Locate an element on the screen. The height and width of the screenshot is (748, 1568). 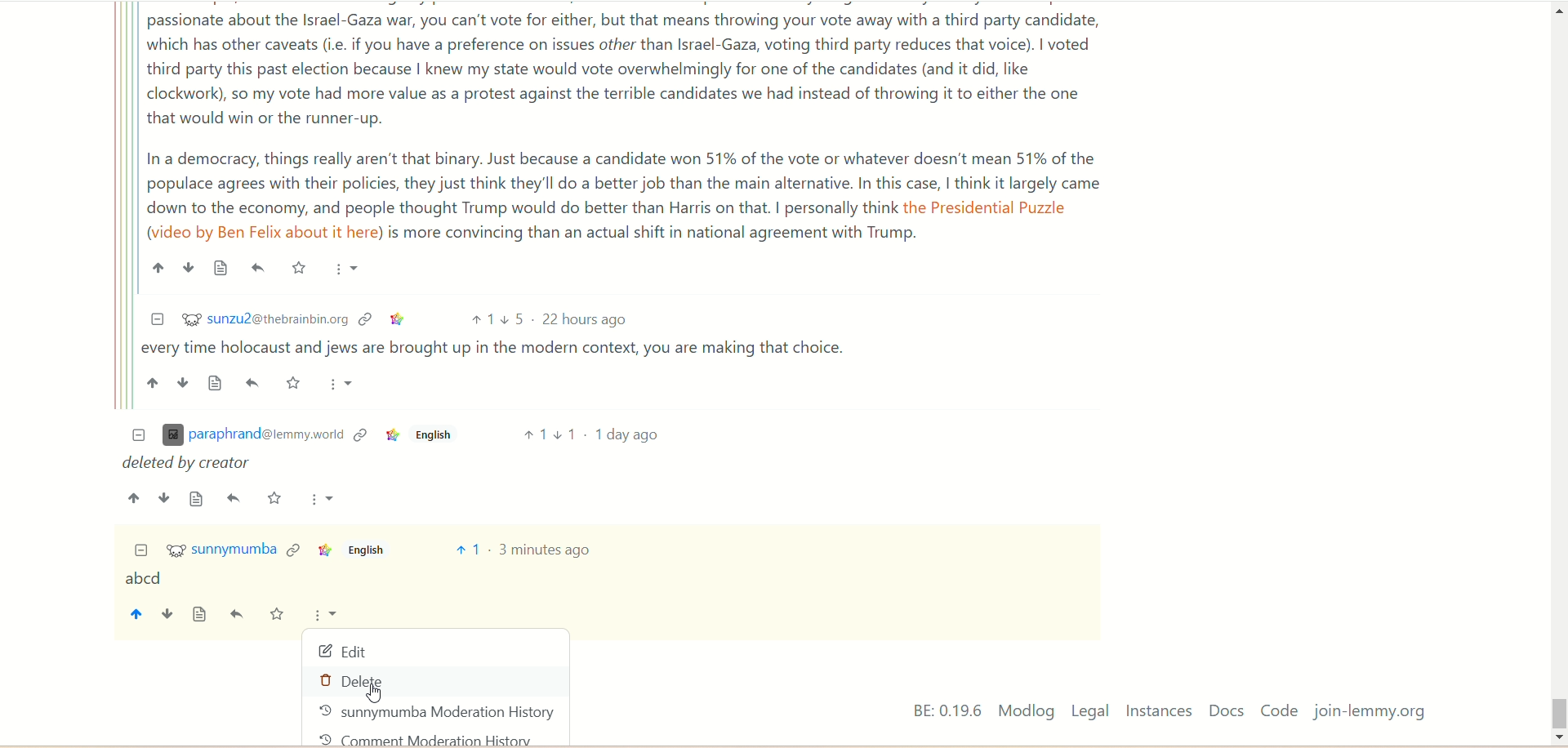
Sunnymumba moderation history is located at coordinates (438, 712).